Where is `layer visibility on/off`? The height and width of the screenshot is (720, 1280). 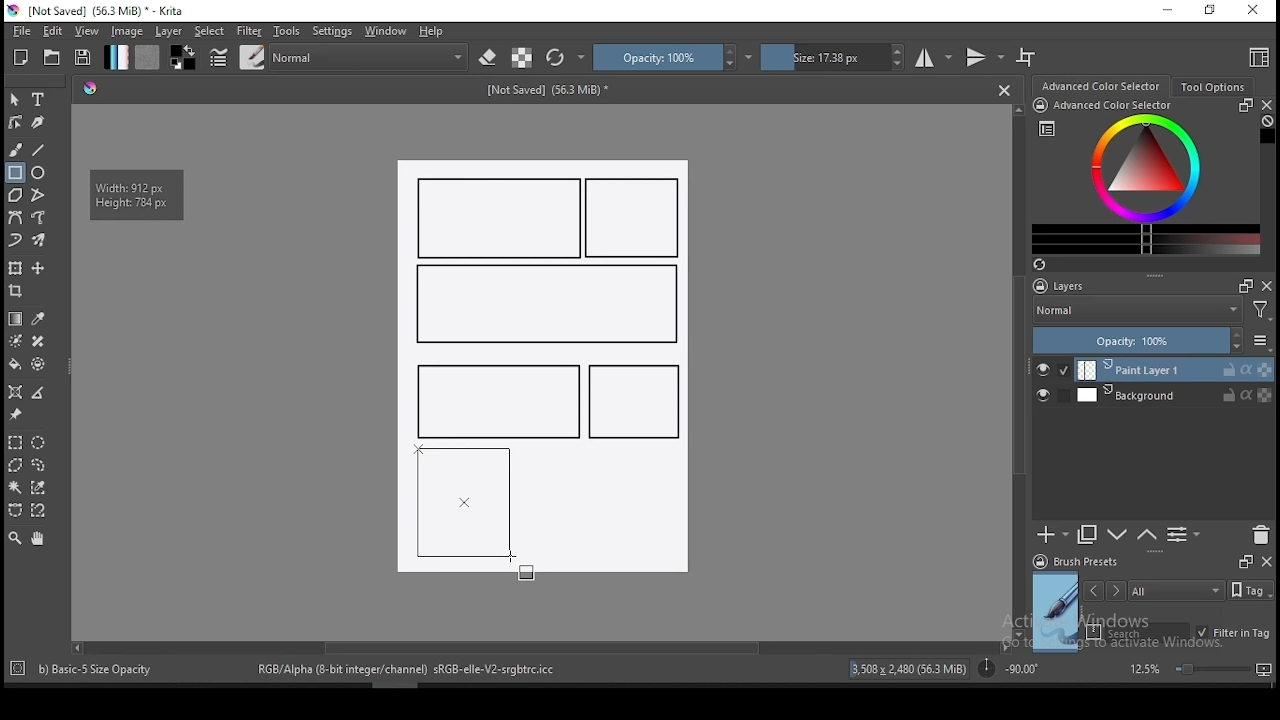 layer visibility on/off is located at coordinates (1048, 397).